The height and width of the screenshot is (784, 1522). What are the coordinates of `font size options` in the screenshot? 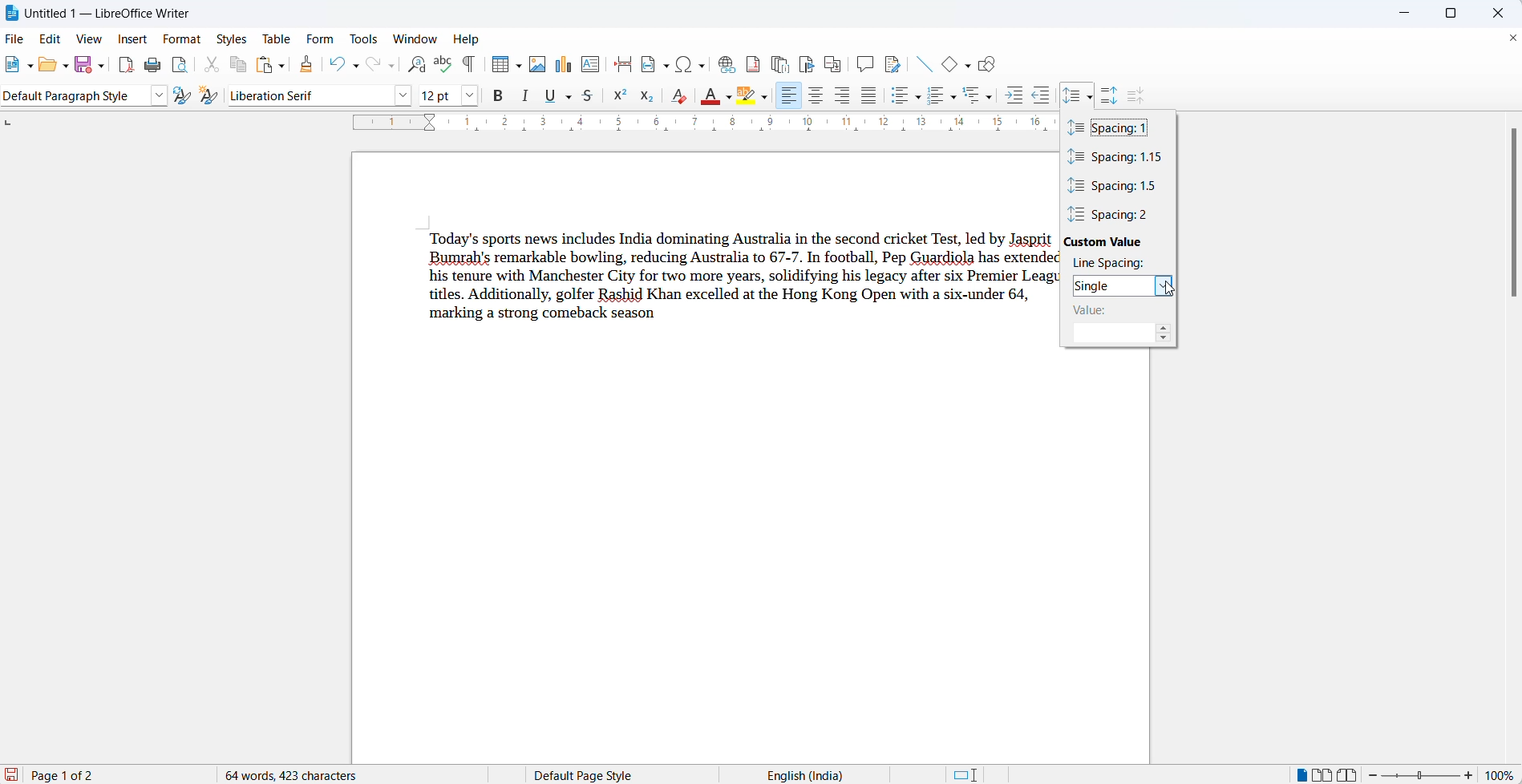 It's located at (472, 95).